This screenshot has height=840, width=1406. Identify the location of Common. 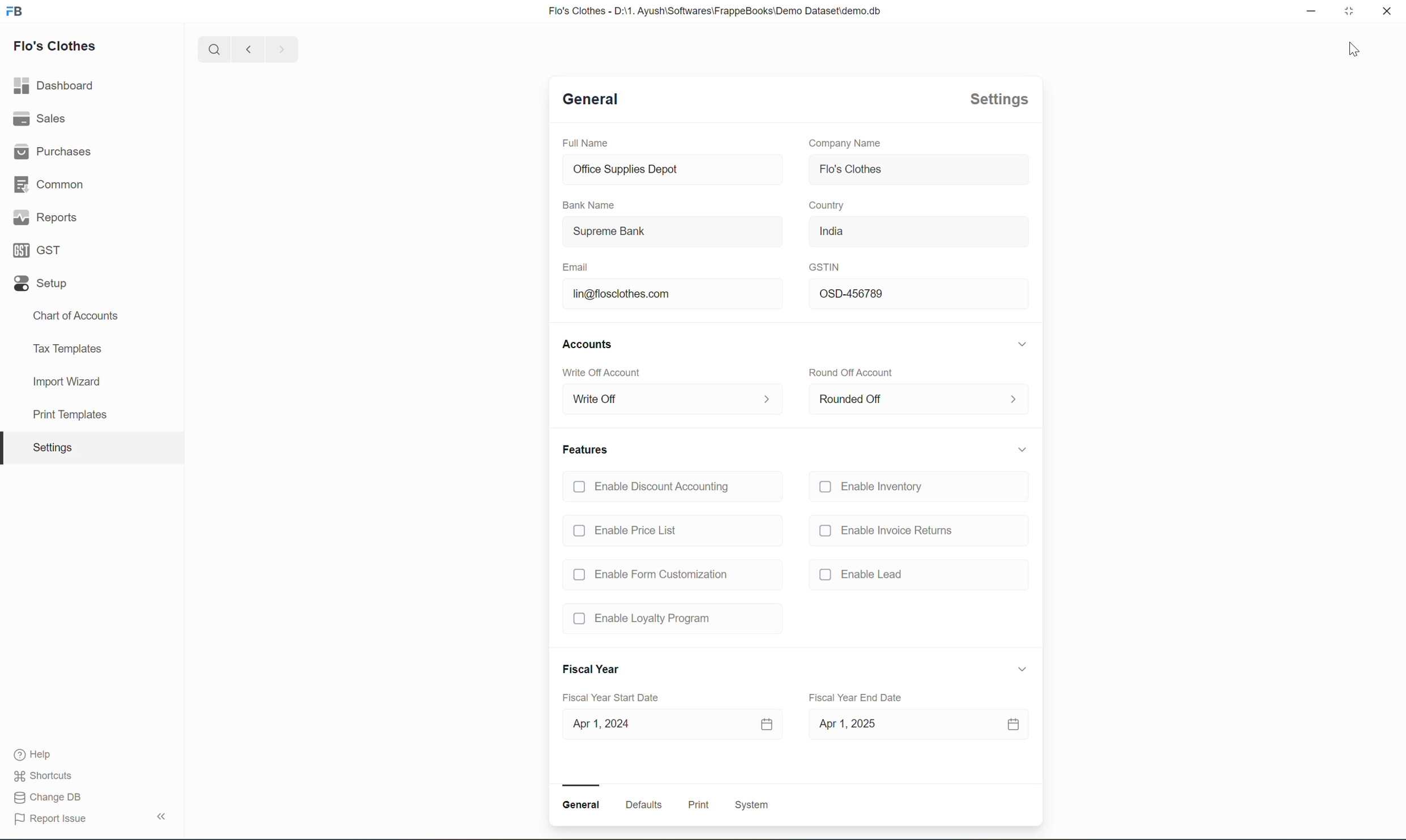
(49, 184).